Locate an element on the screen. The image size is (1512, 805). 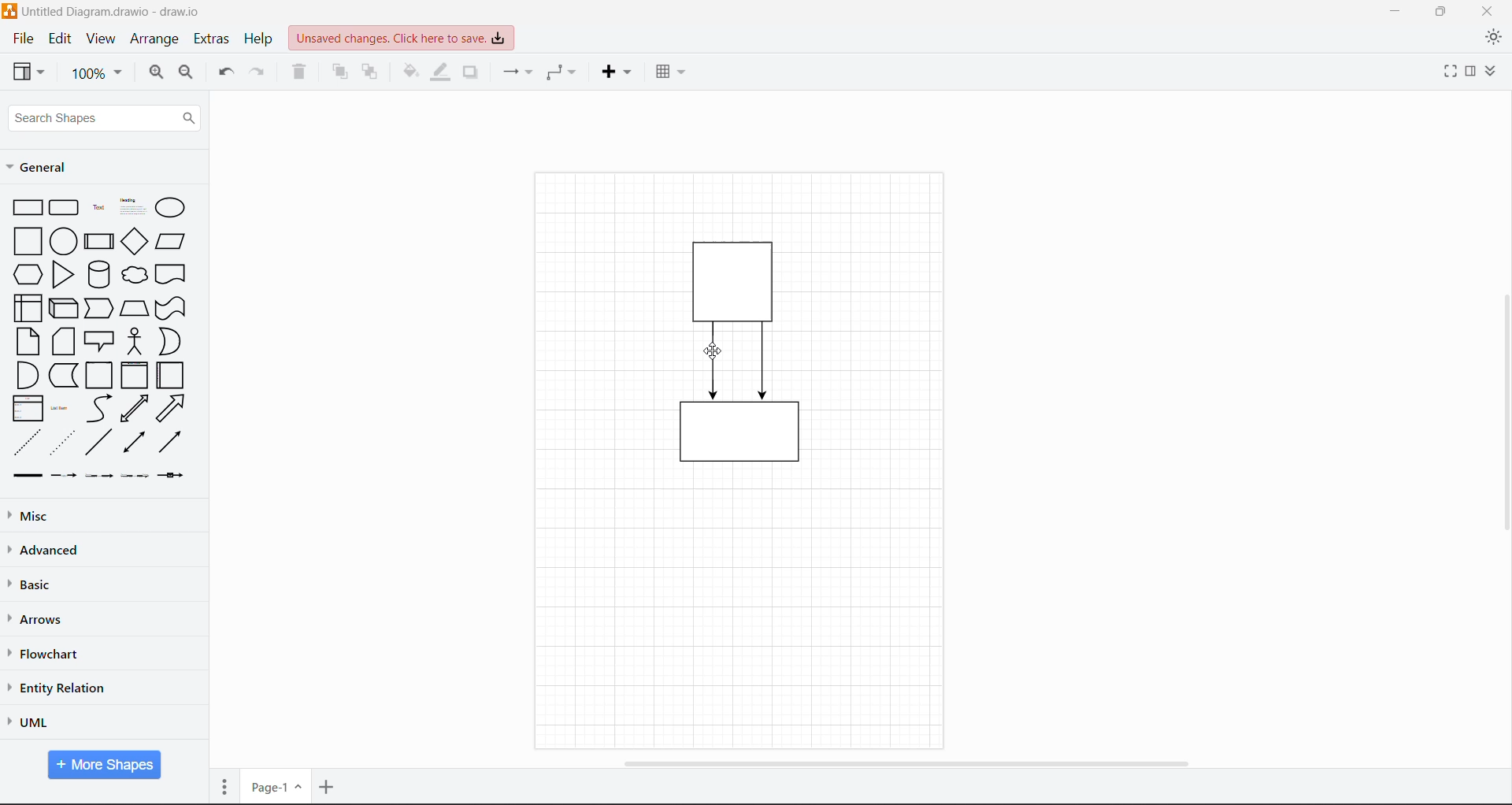
Arrows is located at coordinates (39, 620).